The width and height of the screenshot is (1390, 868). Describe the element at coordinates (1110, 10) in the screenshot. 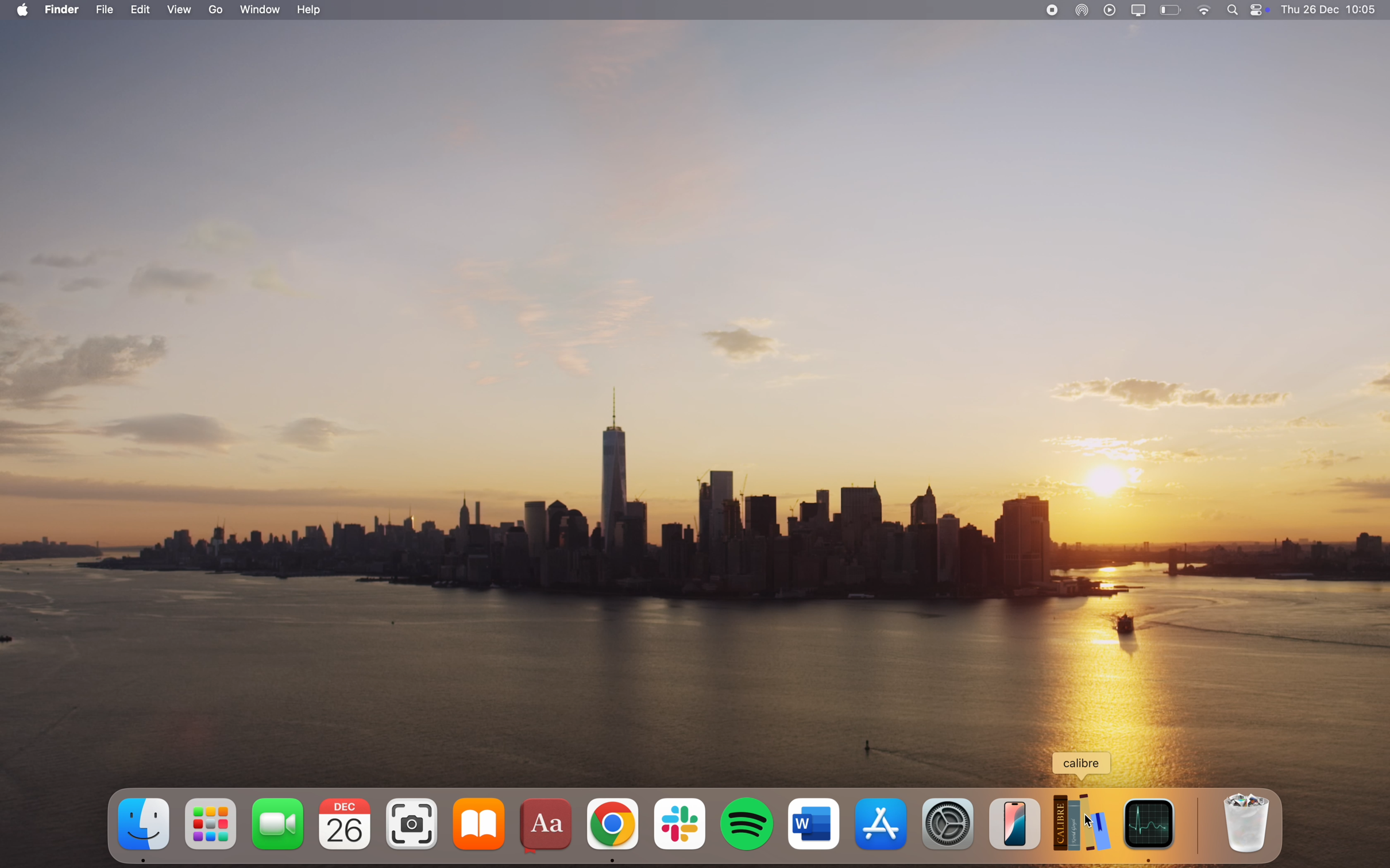

I see `play` at that location.